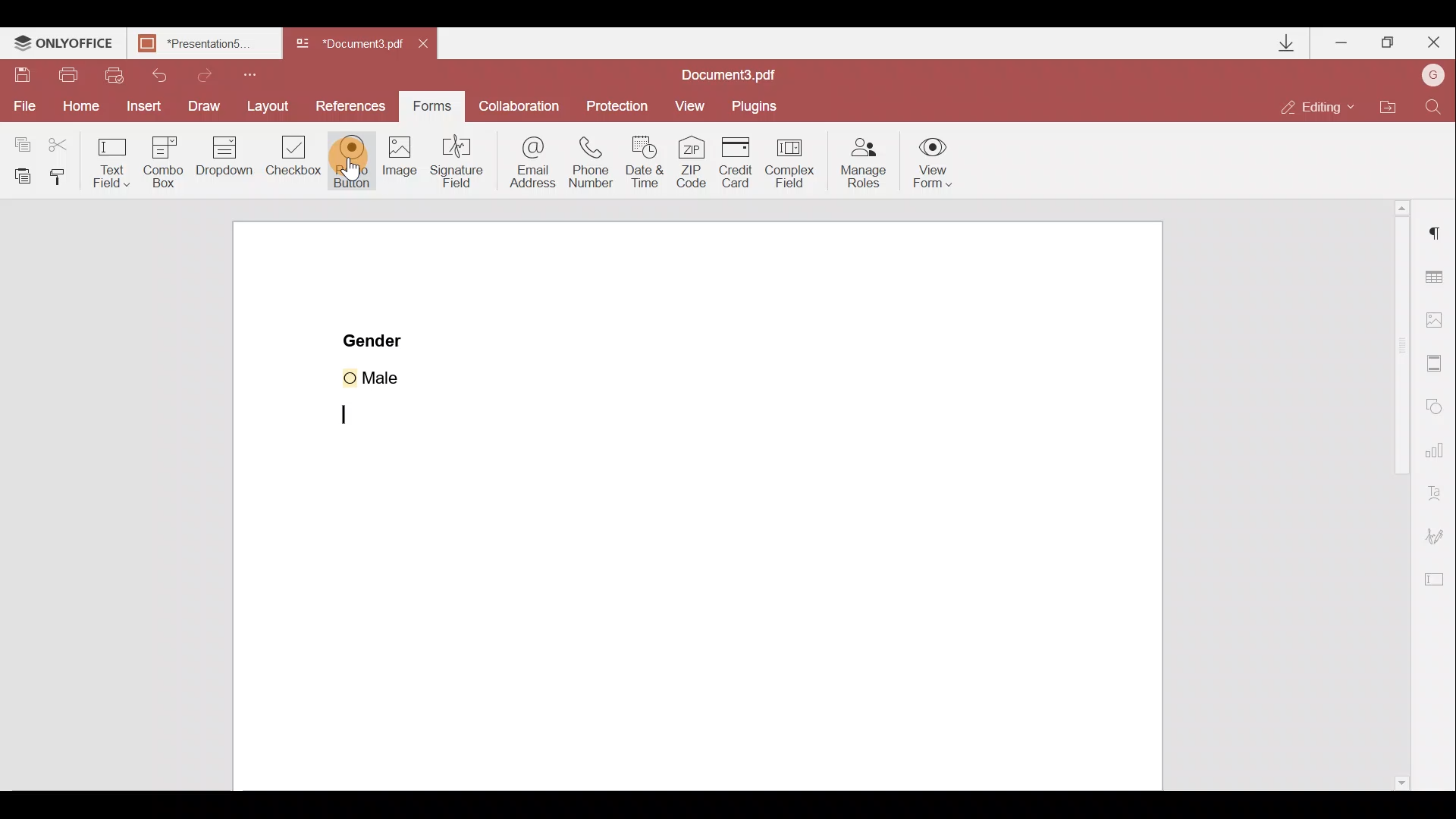  Describe the element at coordinates (1436, 366) in the screenshot. I see `Headers & footers settings` at that location.